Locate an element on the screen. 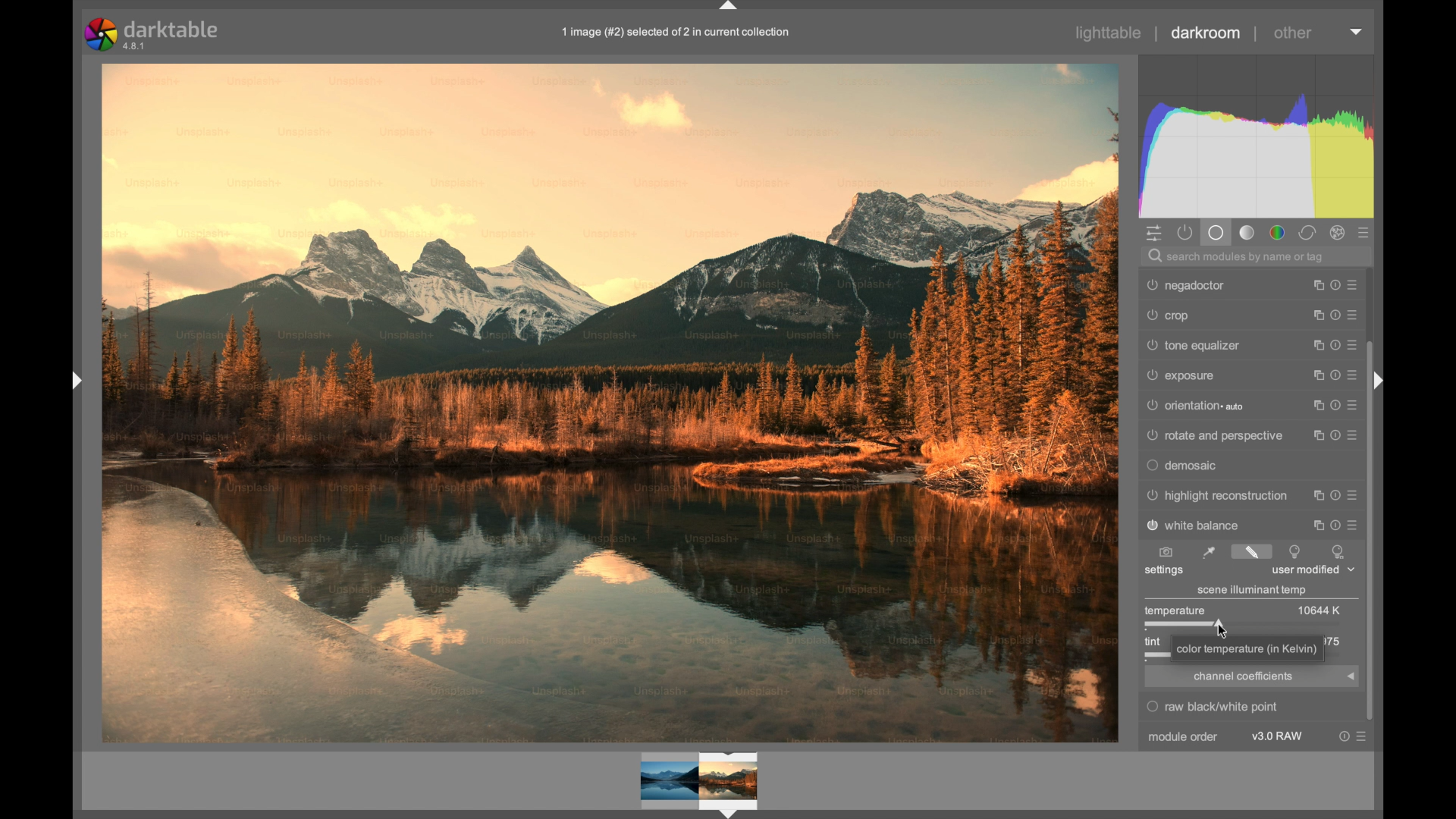 This screenshot has width=1456, height=819. reset parameters is located at coordinates (1335, 401).